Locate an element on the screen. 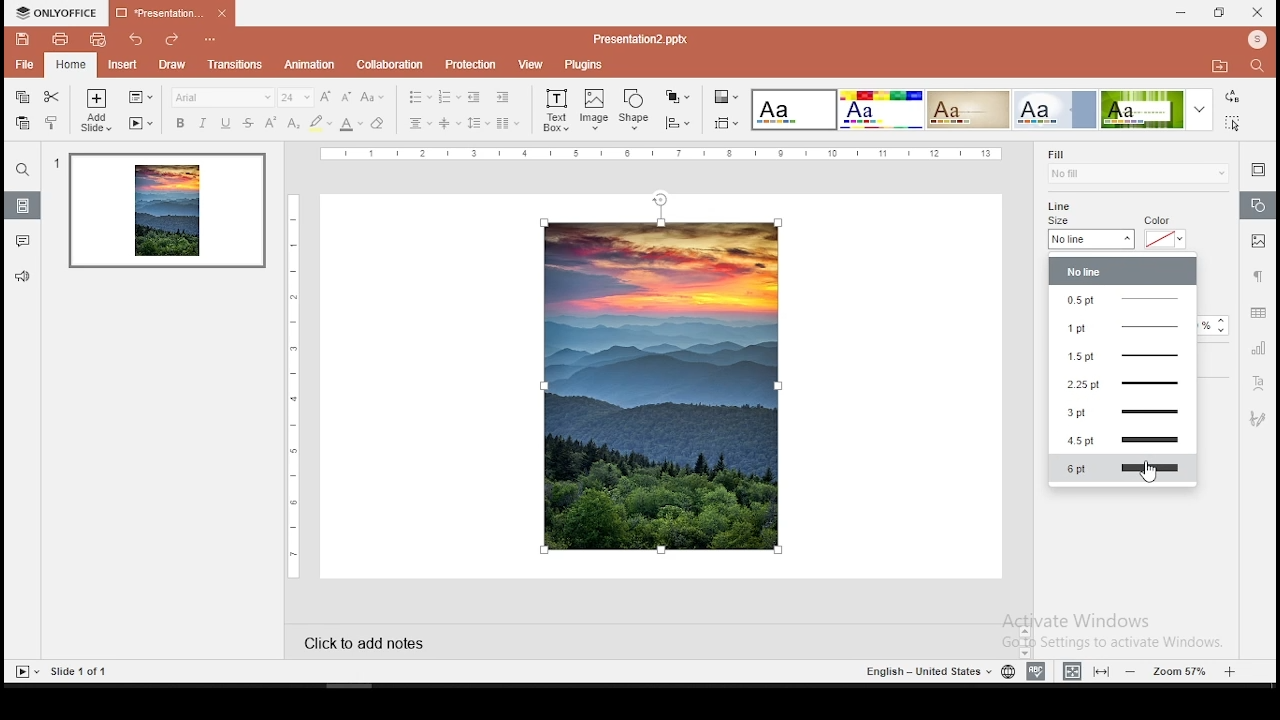  underline is located at coordinates (225, 123).